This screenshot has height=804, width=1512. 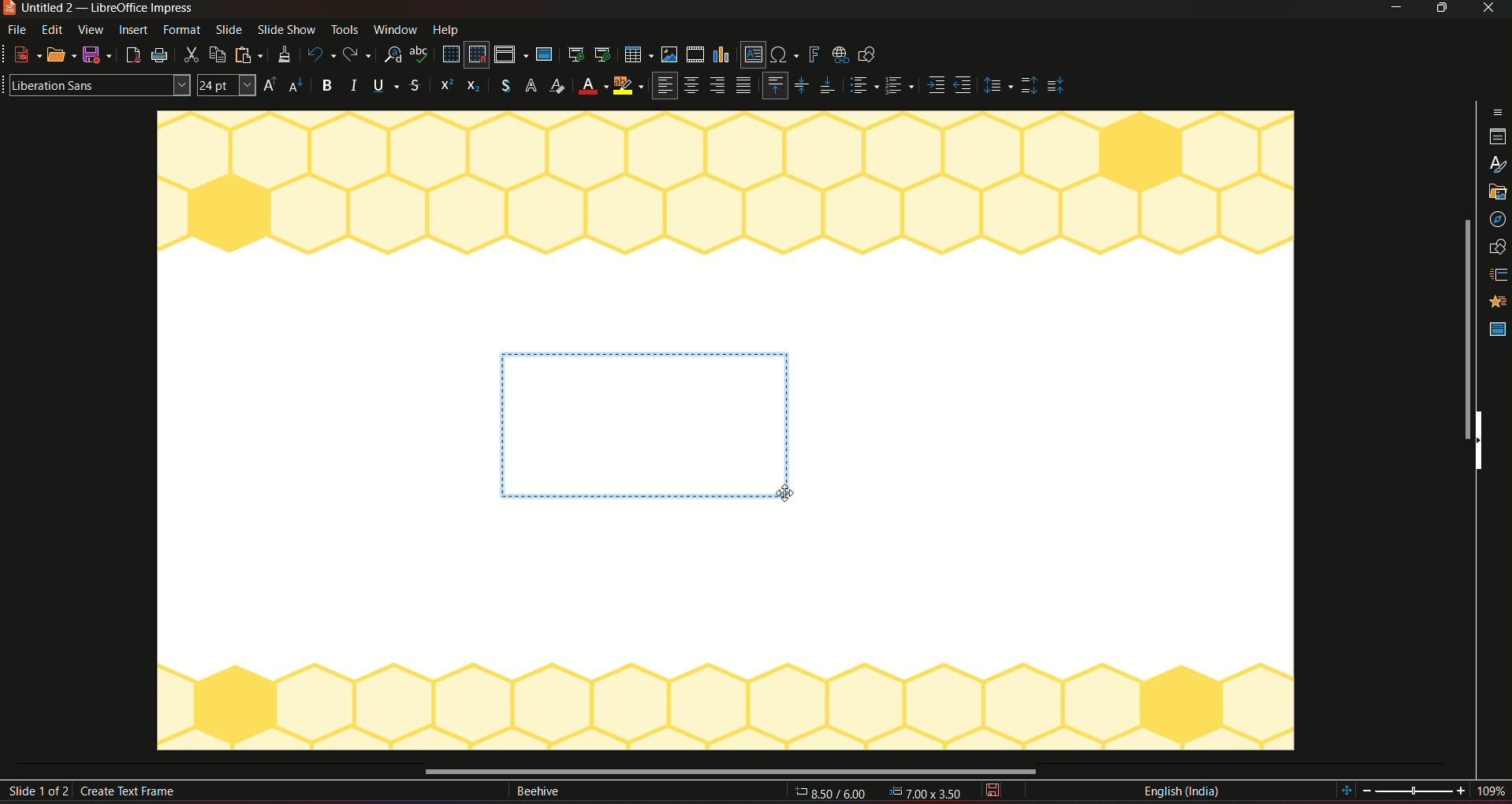 What do you see at coordinates (248, 54) in the screenshot?
I see `paste` at bounding box center [248, 54].